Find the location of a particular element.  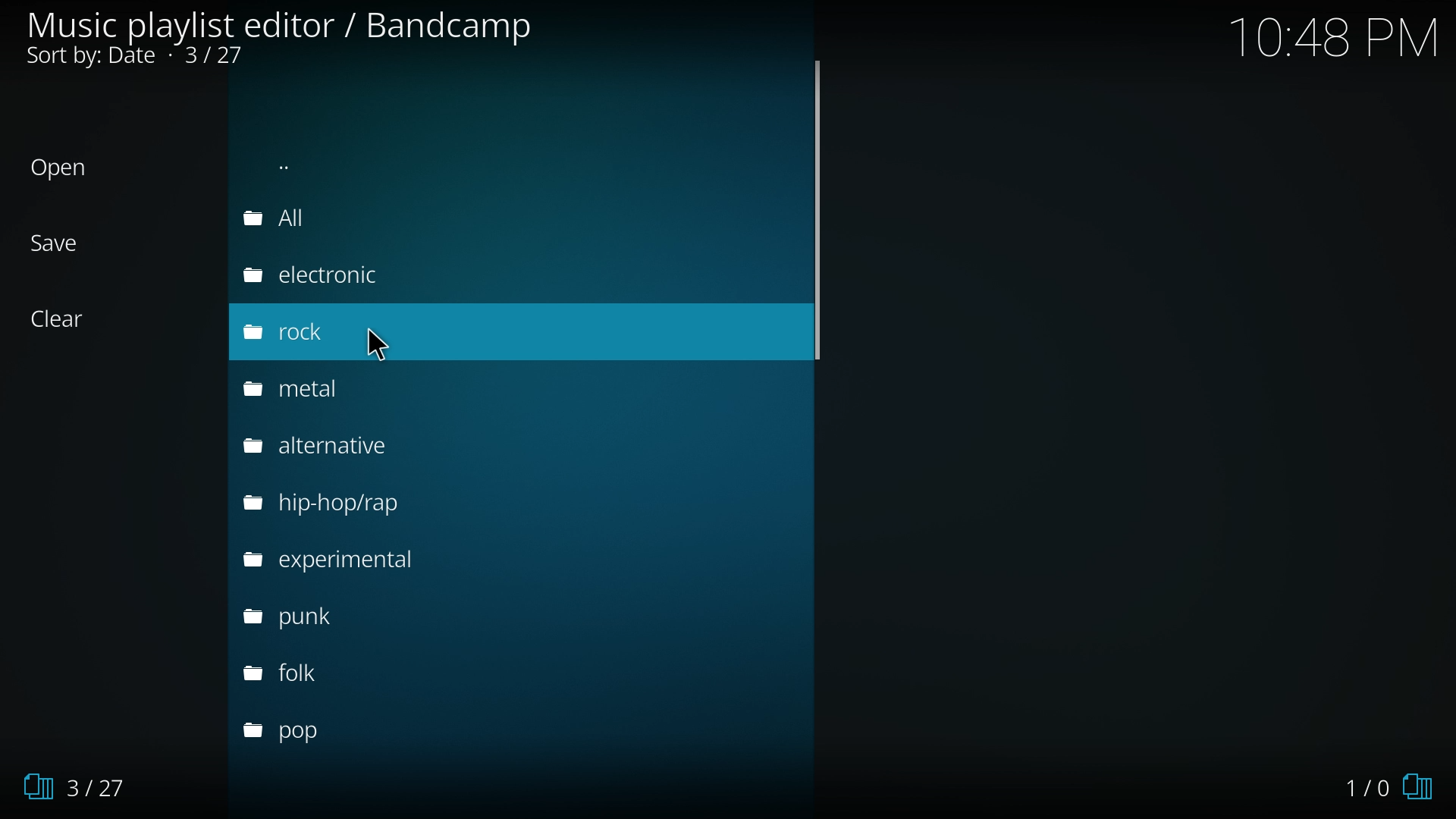

Cursor is located at coordinates (375, 340).